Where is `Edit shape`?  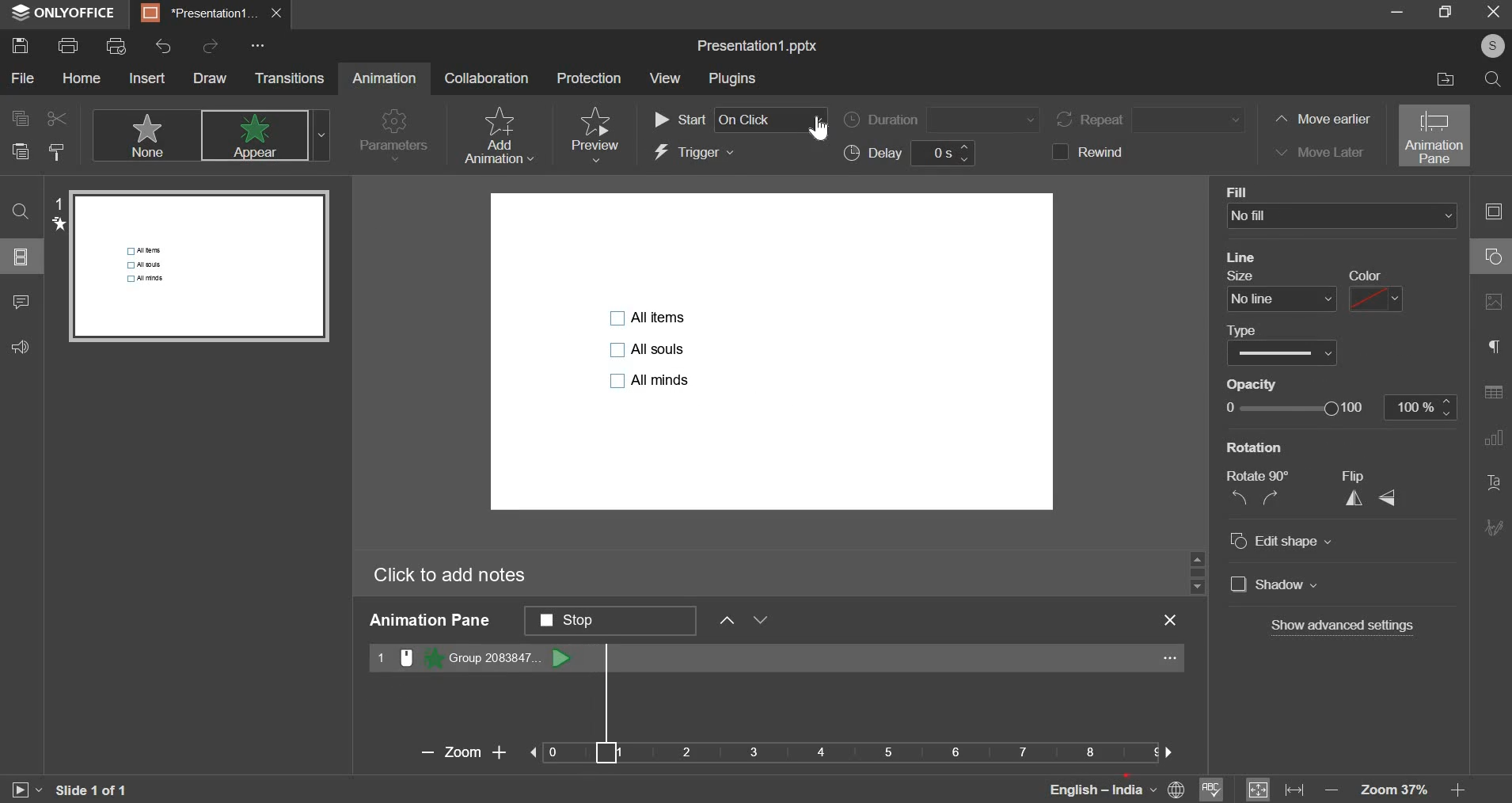 Edit shape is located at coordinates (1290, 541).